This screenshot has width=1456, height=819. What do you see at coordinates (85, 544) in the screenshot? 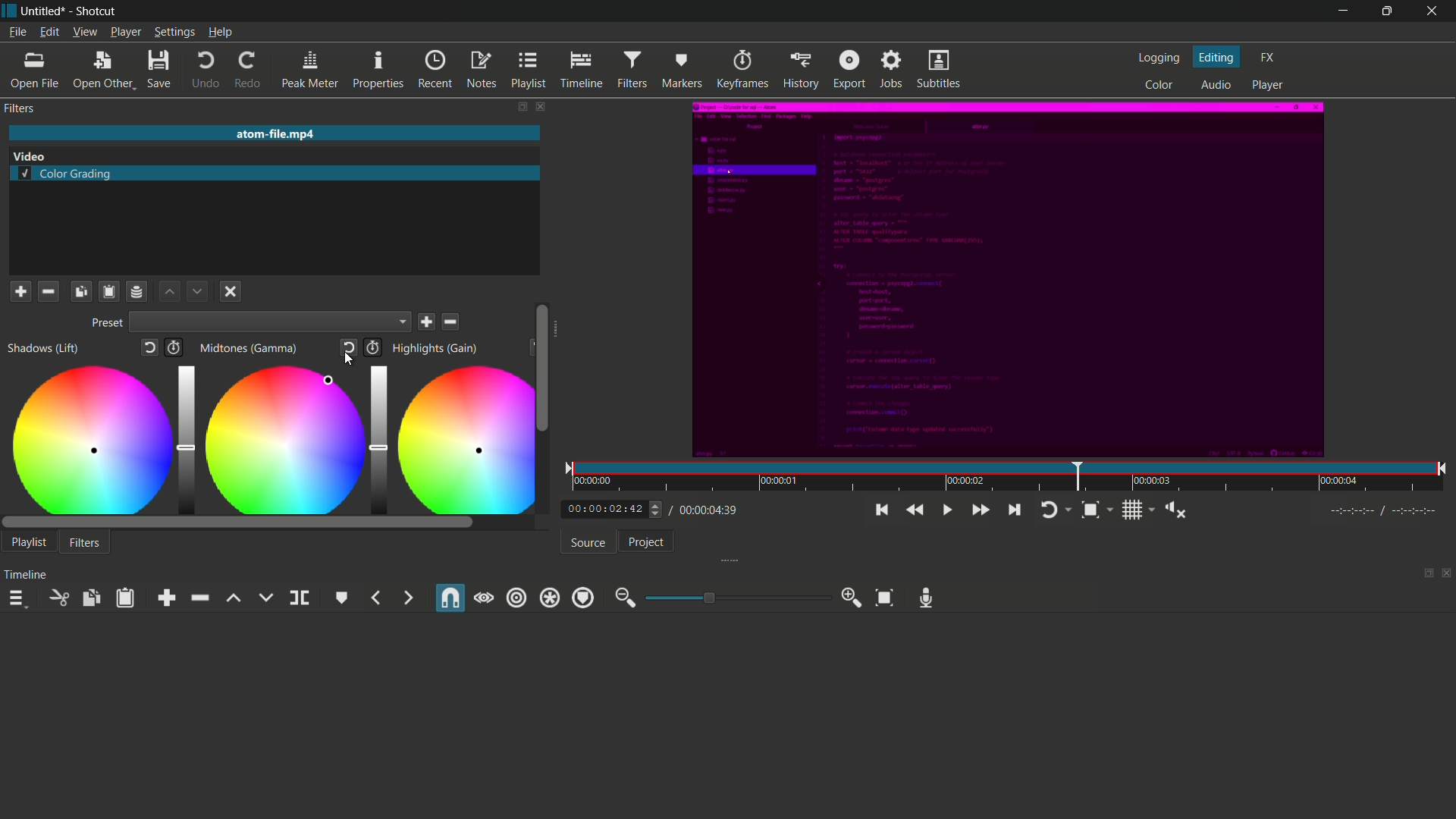
I see `filters` at bounding box center [85, 544].